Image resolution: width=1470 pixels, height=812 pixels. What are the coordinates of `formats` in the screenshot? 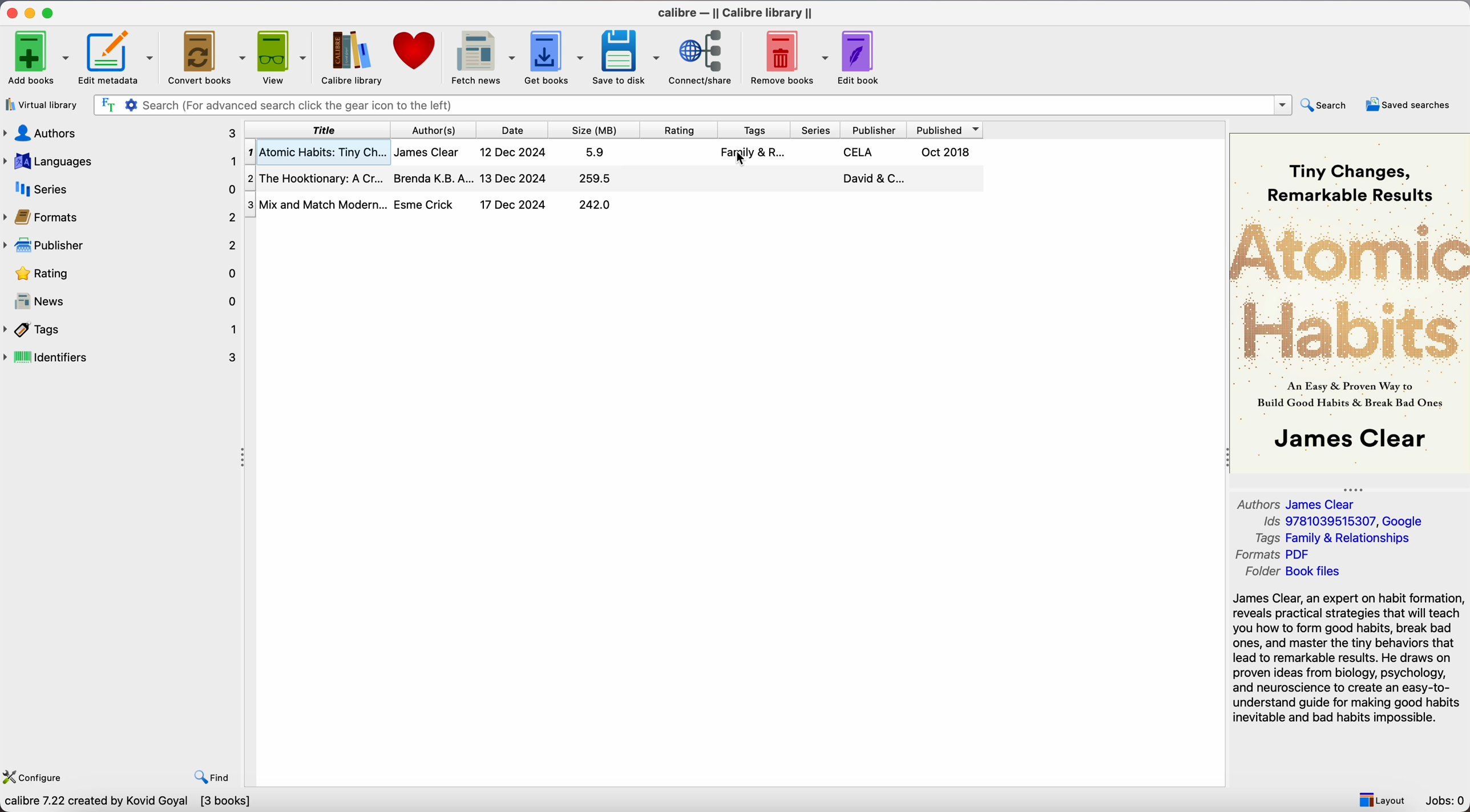 It's located at (120, 216).